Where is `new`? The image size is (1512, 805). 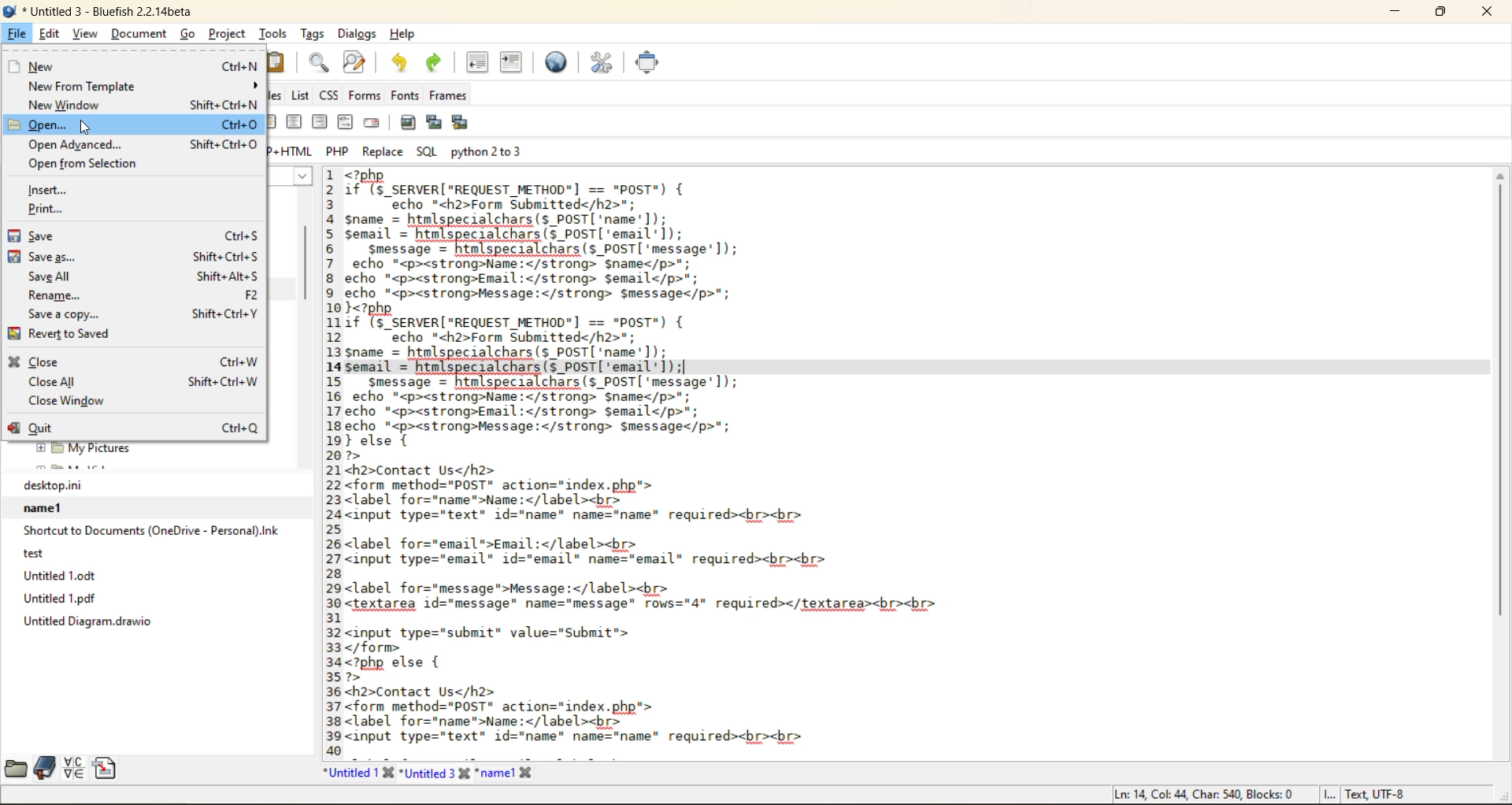
new is located at coordinates (131, 63).